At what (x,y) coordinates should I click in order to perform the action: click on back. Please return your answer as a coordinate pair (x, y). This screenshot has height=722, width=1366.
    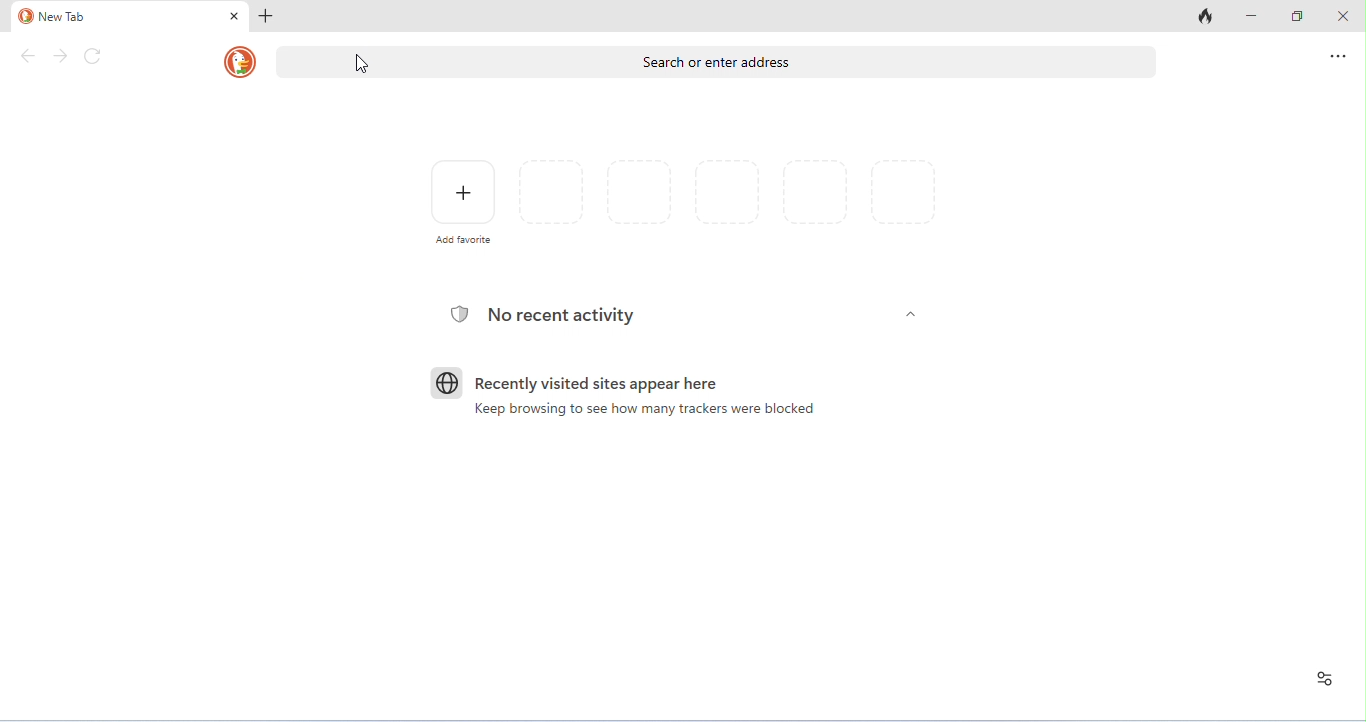
    Looking at the image, I should click on (32, 55).